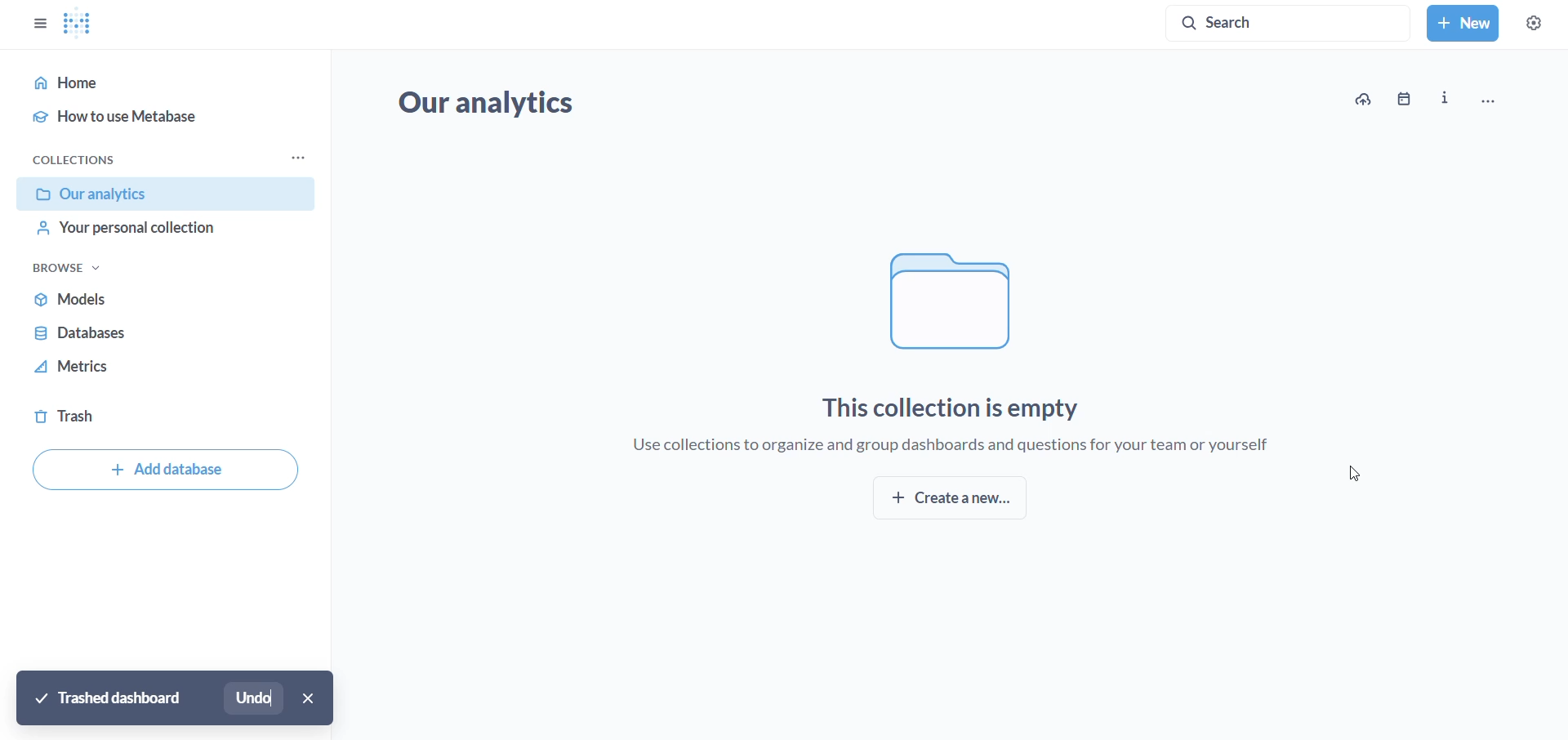 This screenshot has height=740, width=1568. Describe the element at coordinates (151, 82) in the screenshot. I see `home` at that location.